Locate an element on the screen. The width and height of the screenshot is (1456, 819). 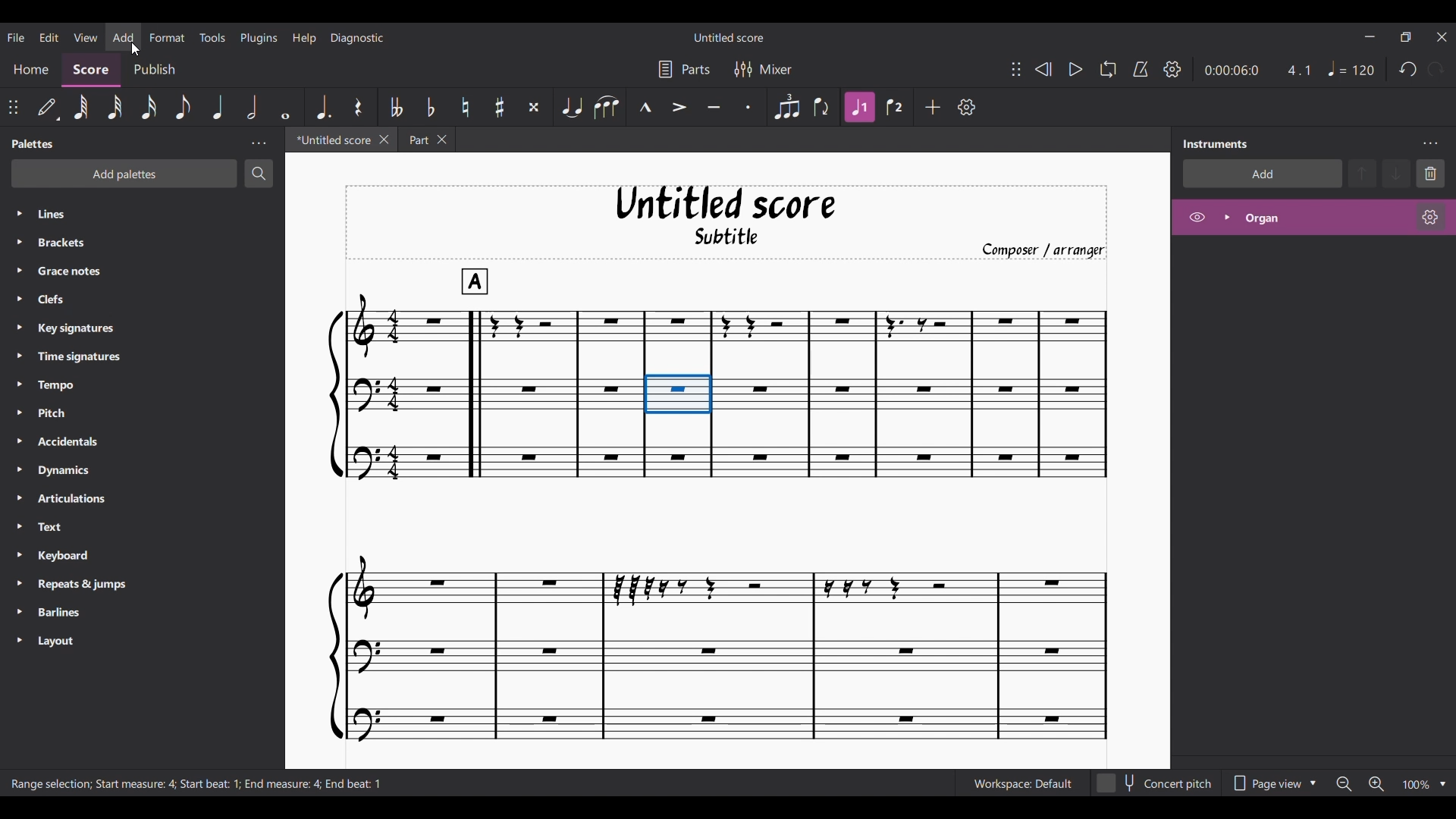
Toggle sharp is located at coordinates (499, 108).